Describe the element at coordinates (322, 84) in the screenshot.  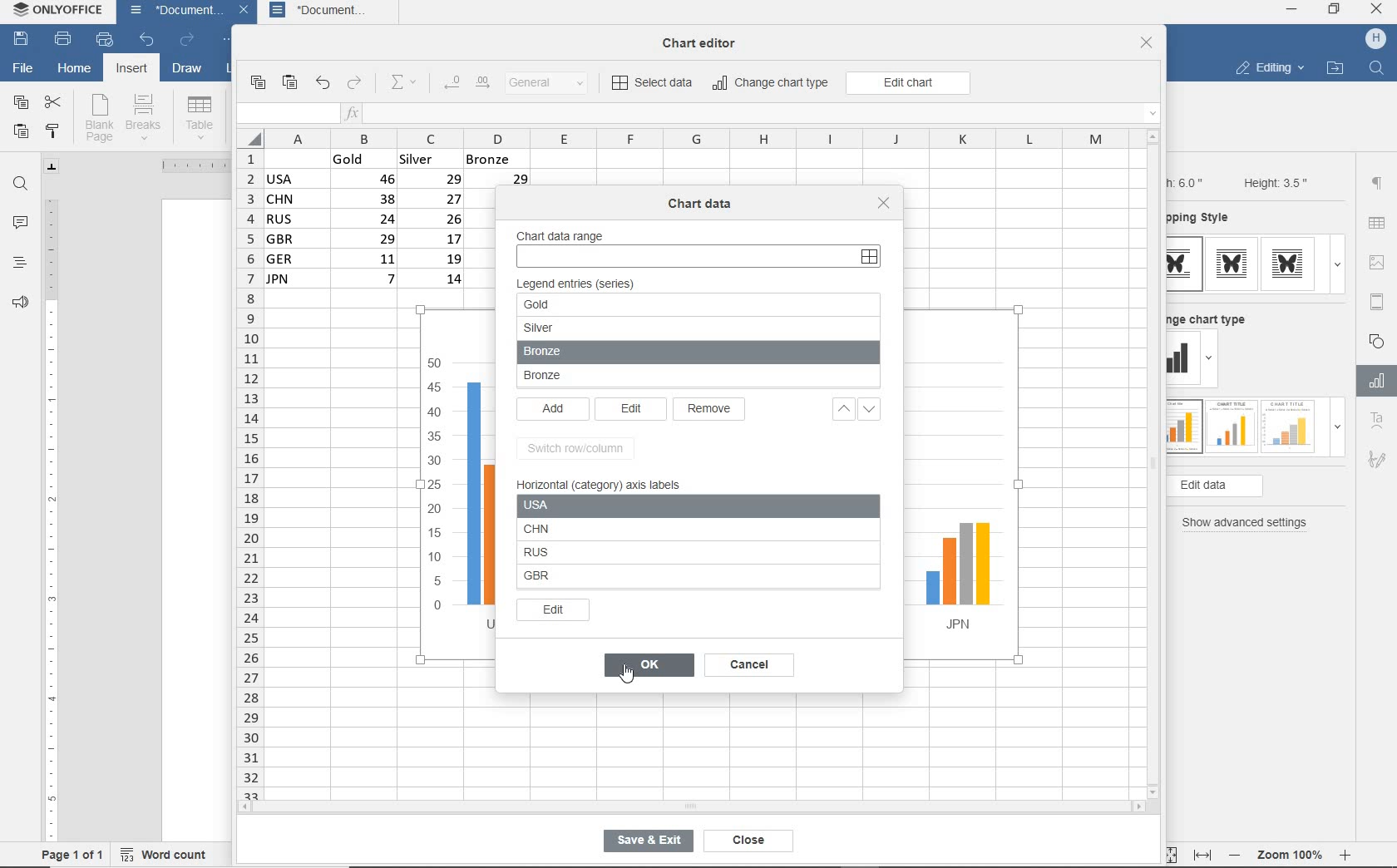
I see `undo` at that location.